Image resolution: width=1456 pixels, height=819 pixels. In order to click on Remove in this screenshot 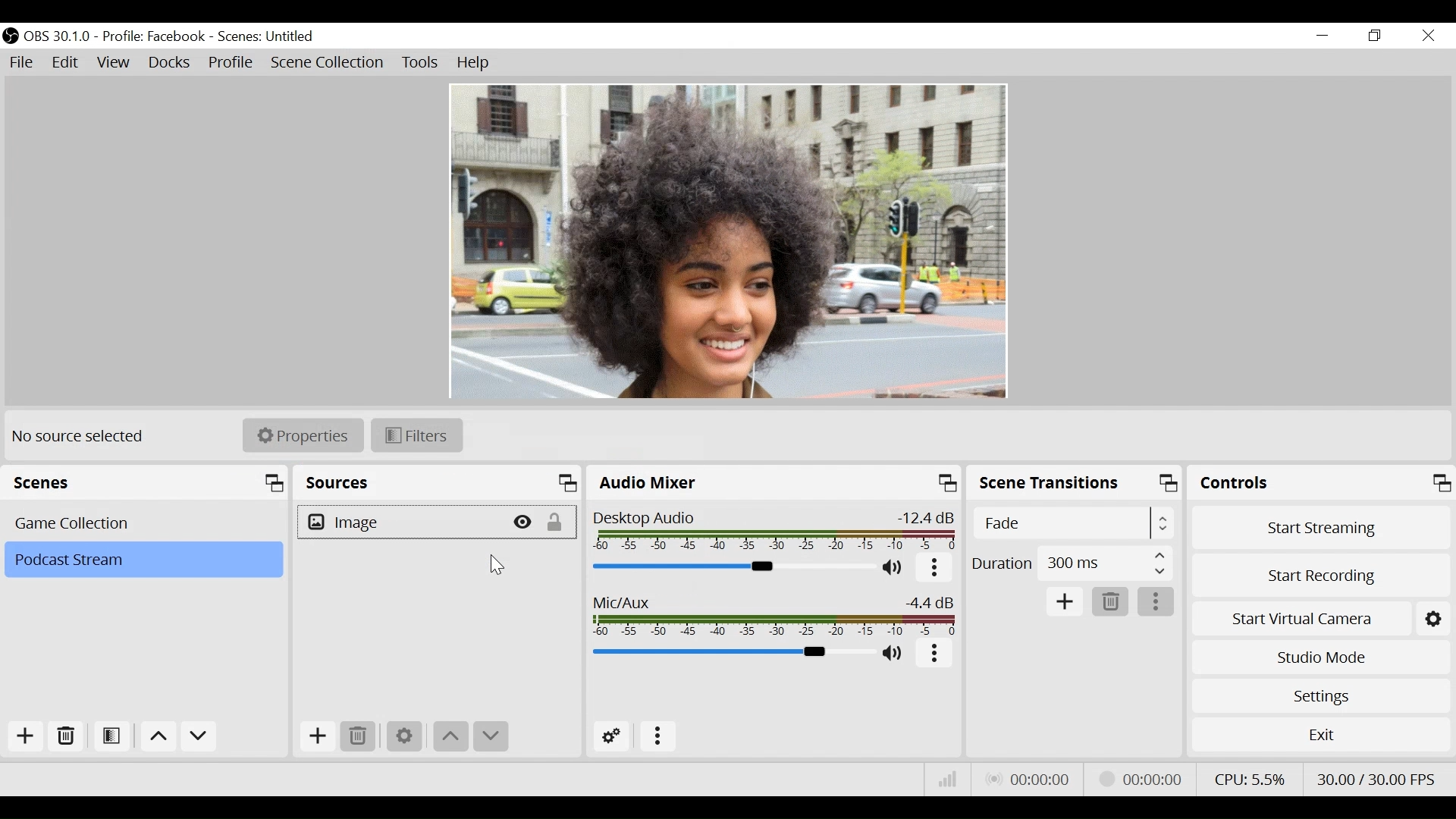, I will do `click(67, 735)`.